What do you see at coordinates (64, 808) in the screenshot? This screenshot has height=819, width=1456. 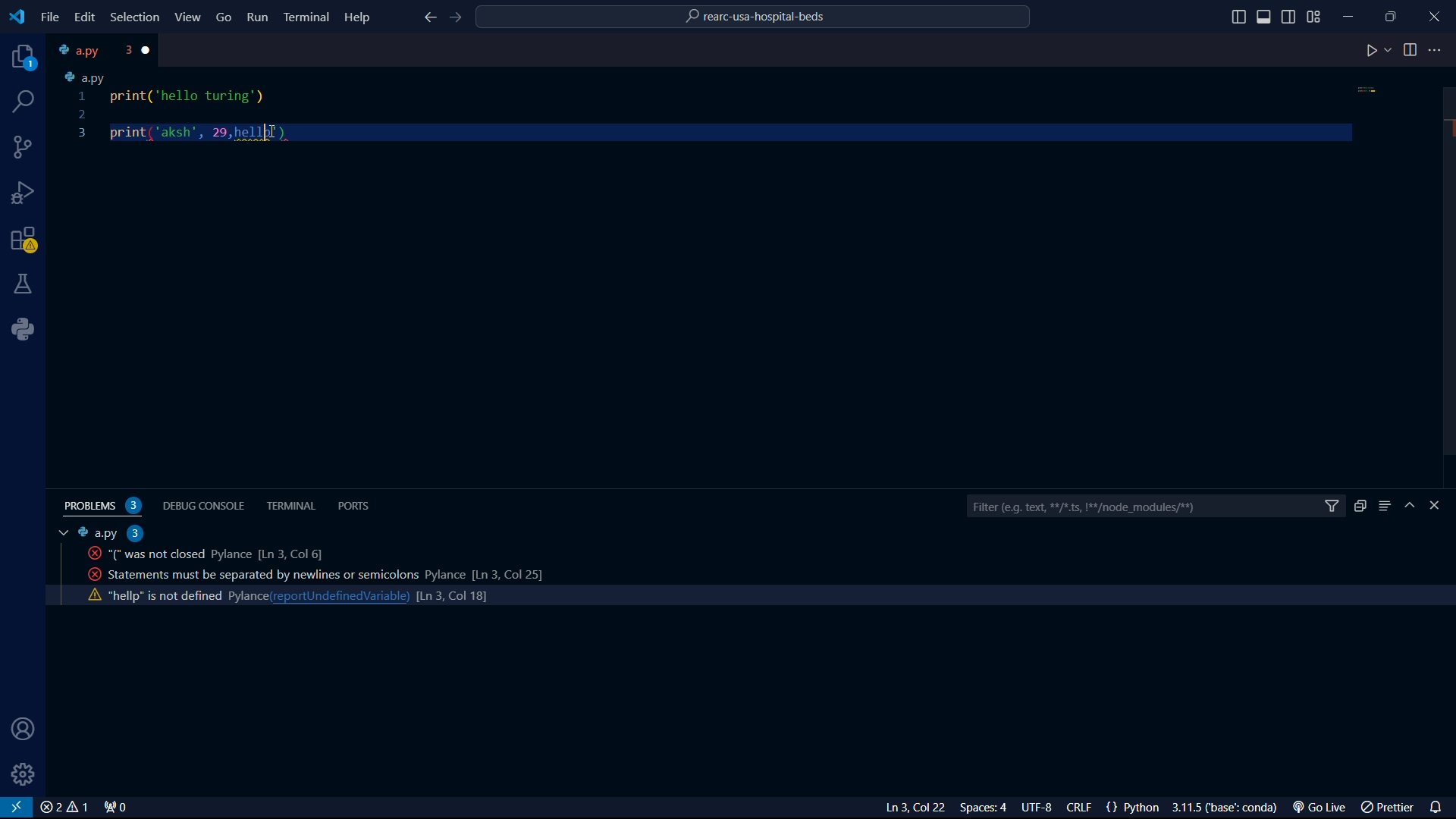 I see `close` at bounding box center [64, 808].